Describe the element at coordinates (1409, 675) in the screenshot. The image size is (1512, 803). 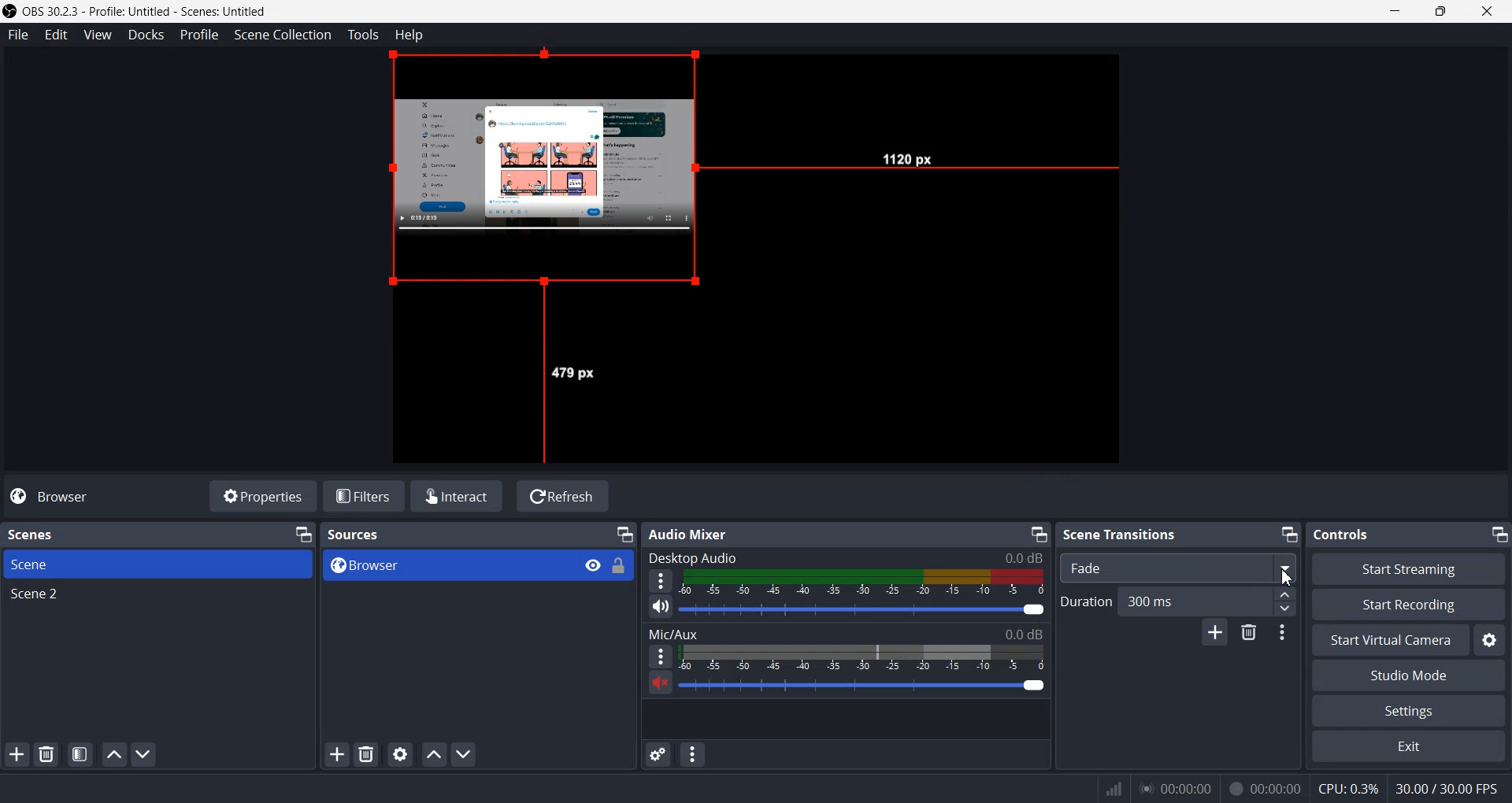
I see `Studio Mode` at that location.